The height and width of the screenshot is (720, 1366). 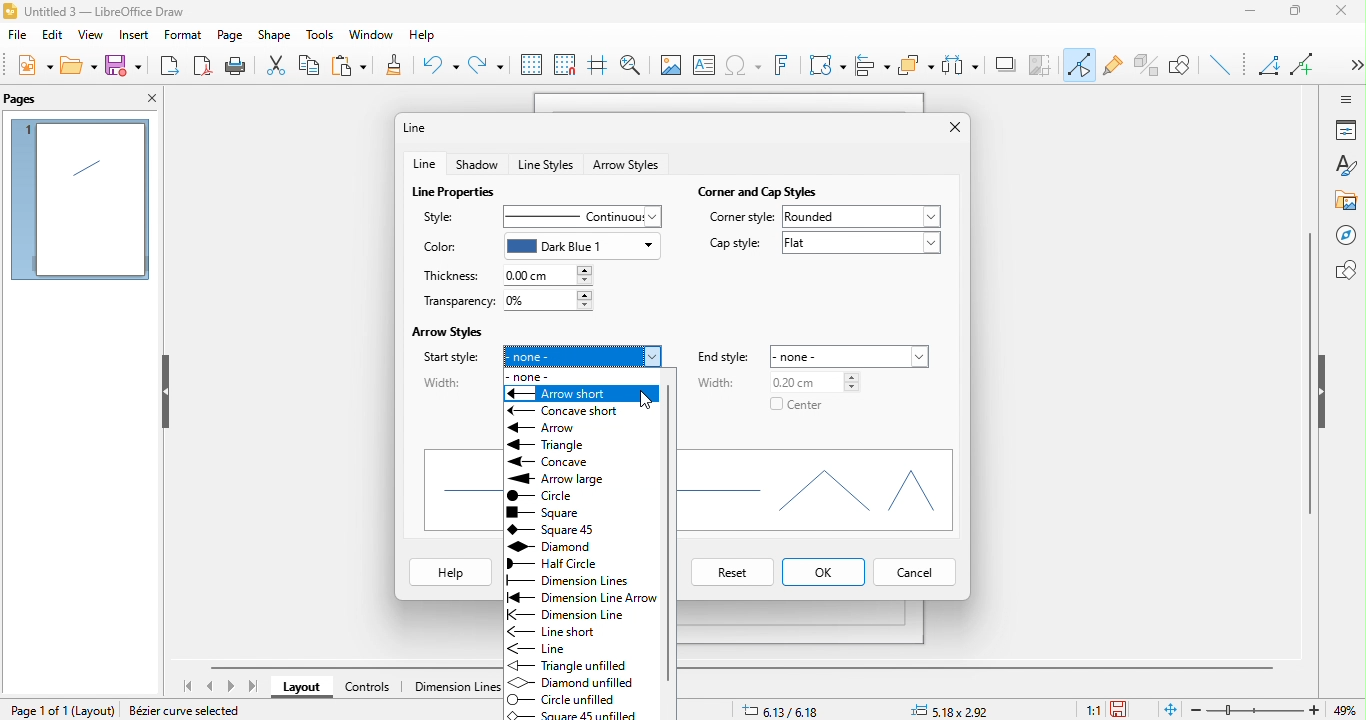 What do you see at coordinates (454, 302) in the screenshot?
I see `transparency` at bounding box center [454, 302].